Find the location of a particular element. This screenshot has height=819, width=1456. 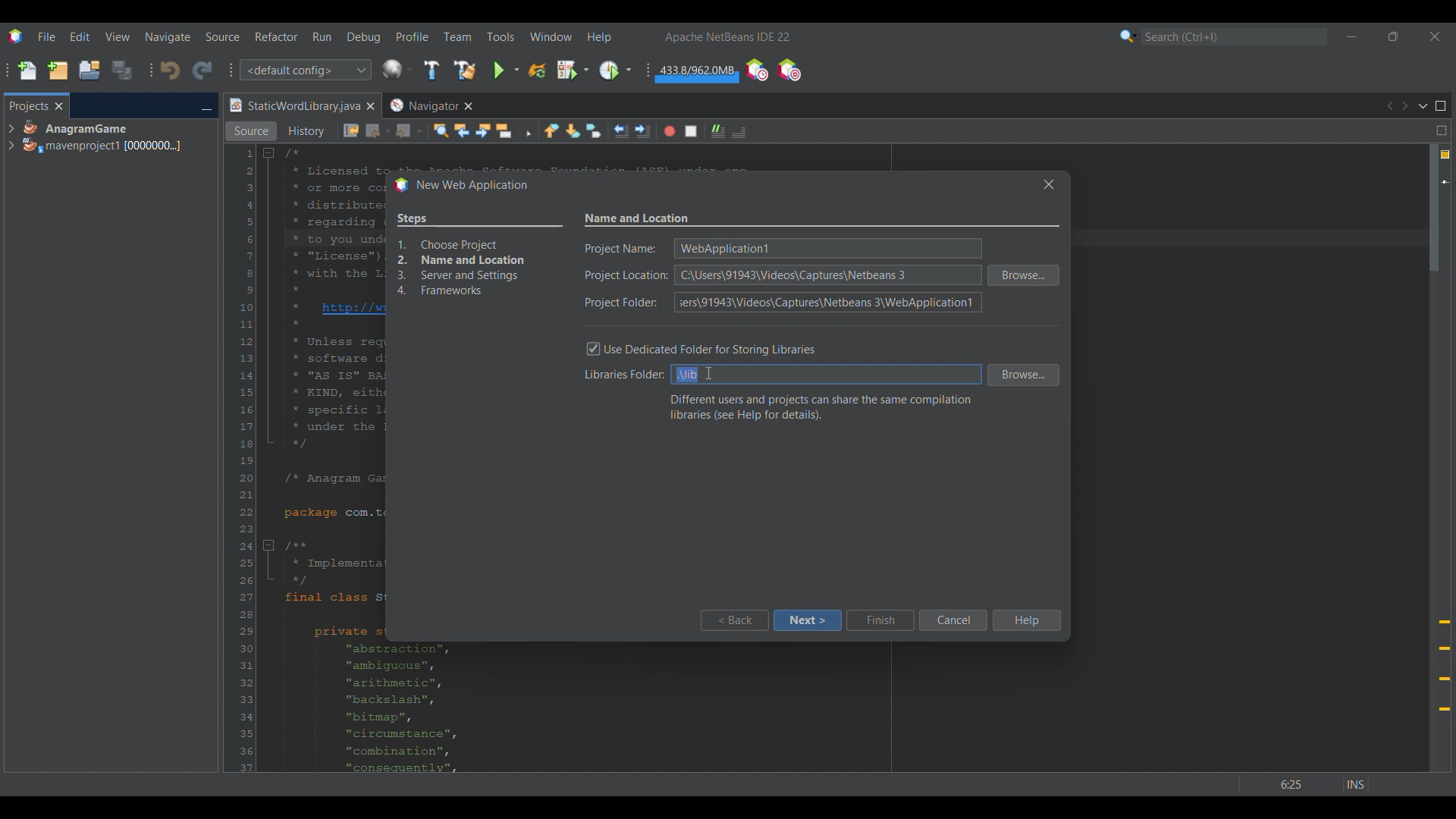

File menu is located at coordinates (46, 36).